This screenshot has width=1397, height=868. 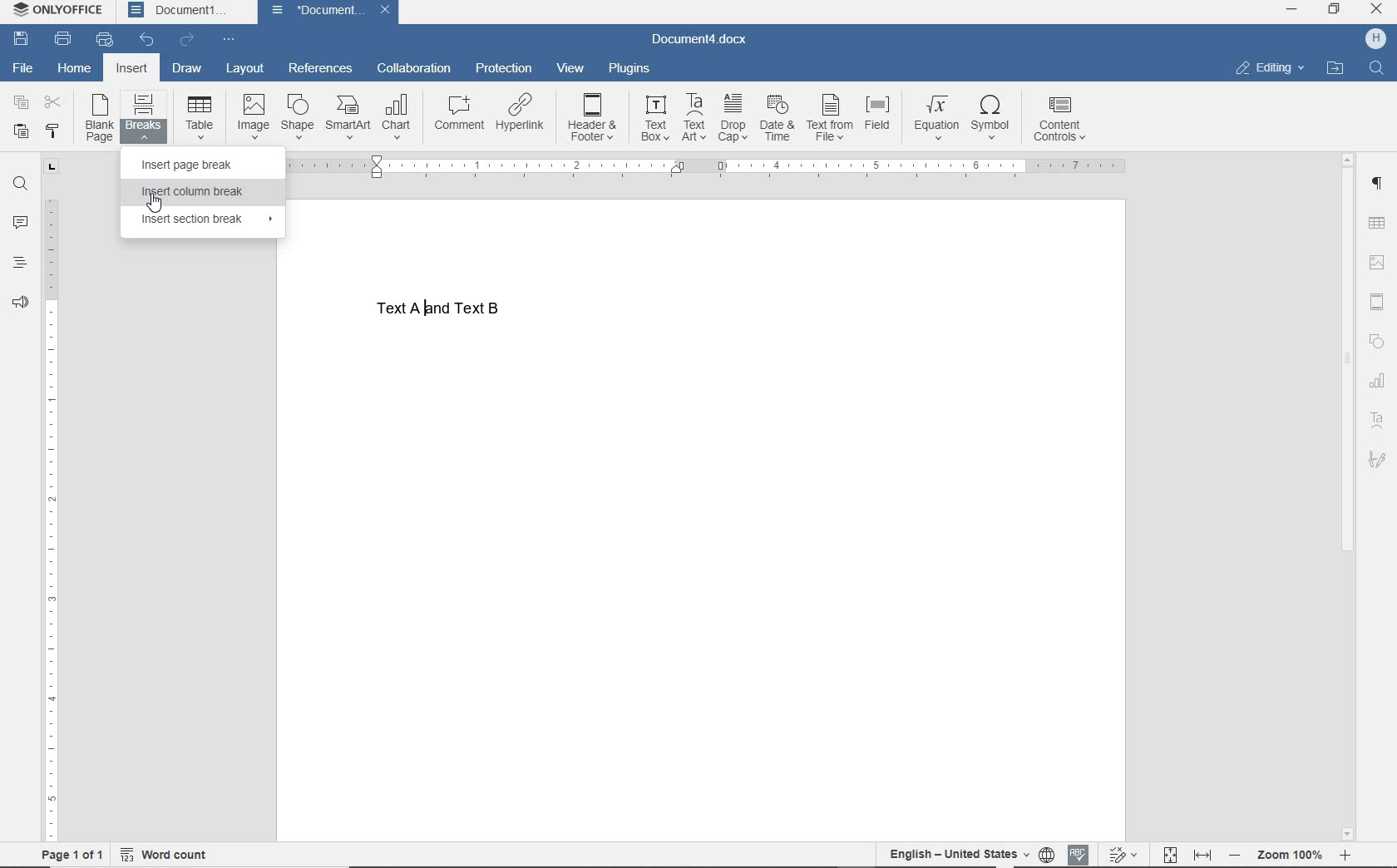 What do you see at coordinates (503, 68) in the screenshot?
I see `PROTECTION` at bounding box center [503, 68].